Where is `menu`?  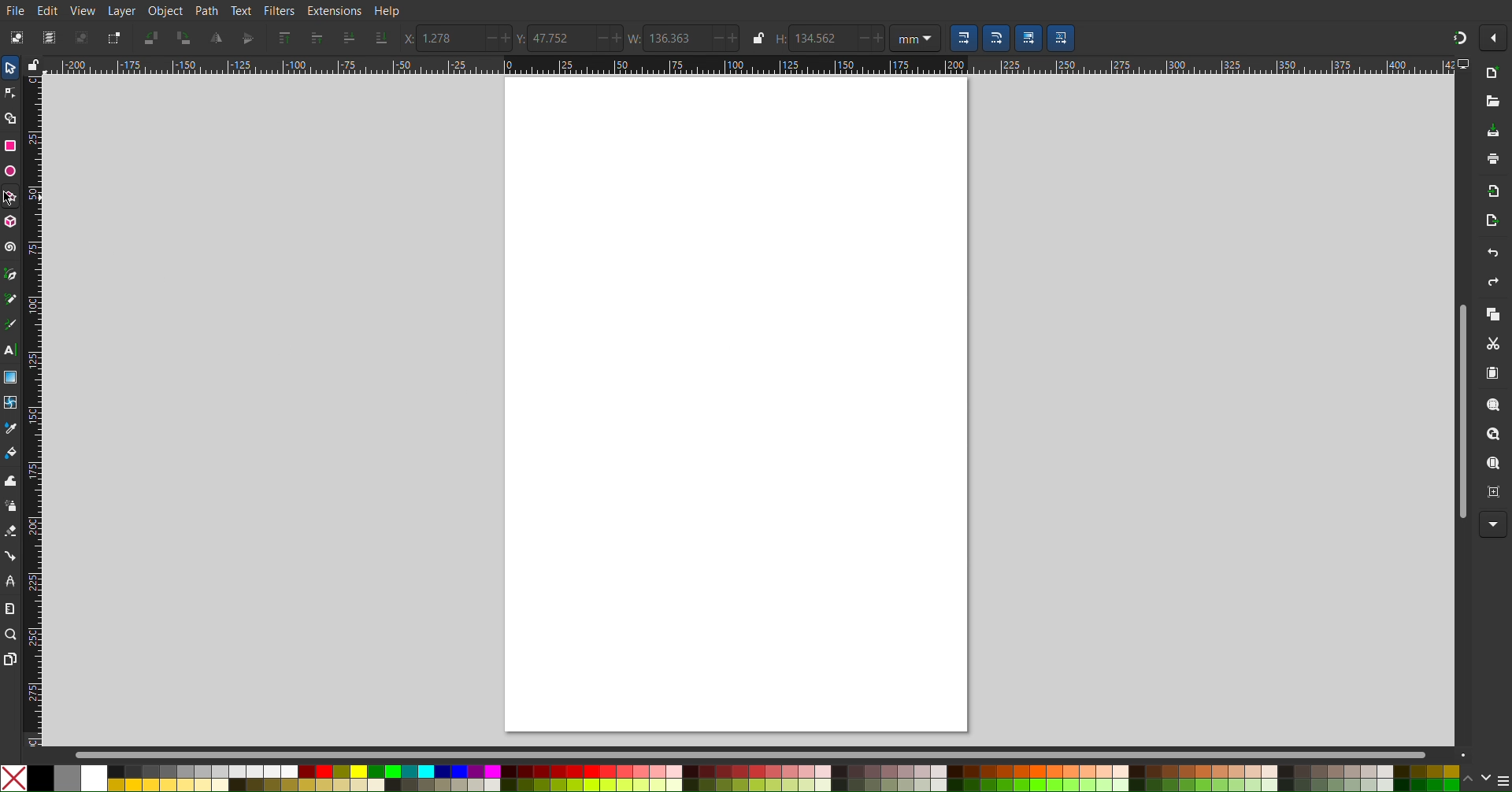
menu is located at coordinates (1503, 780).